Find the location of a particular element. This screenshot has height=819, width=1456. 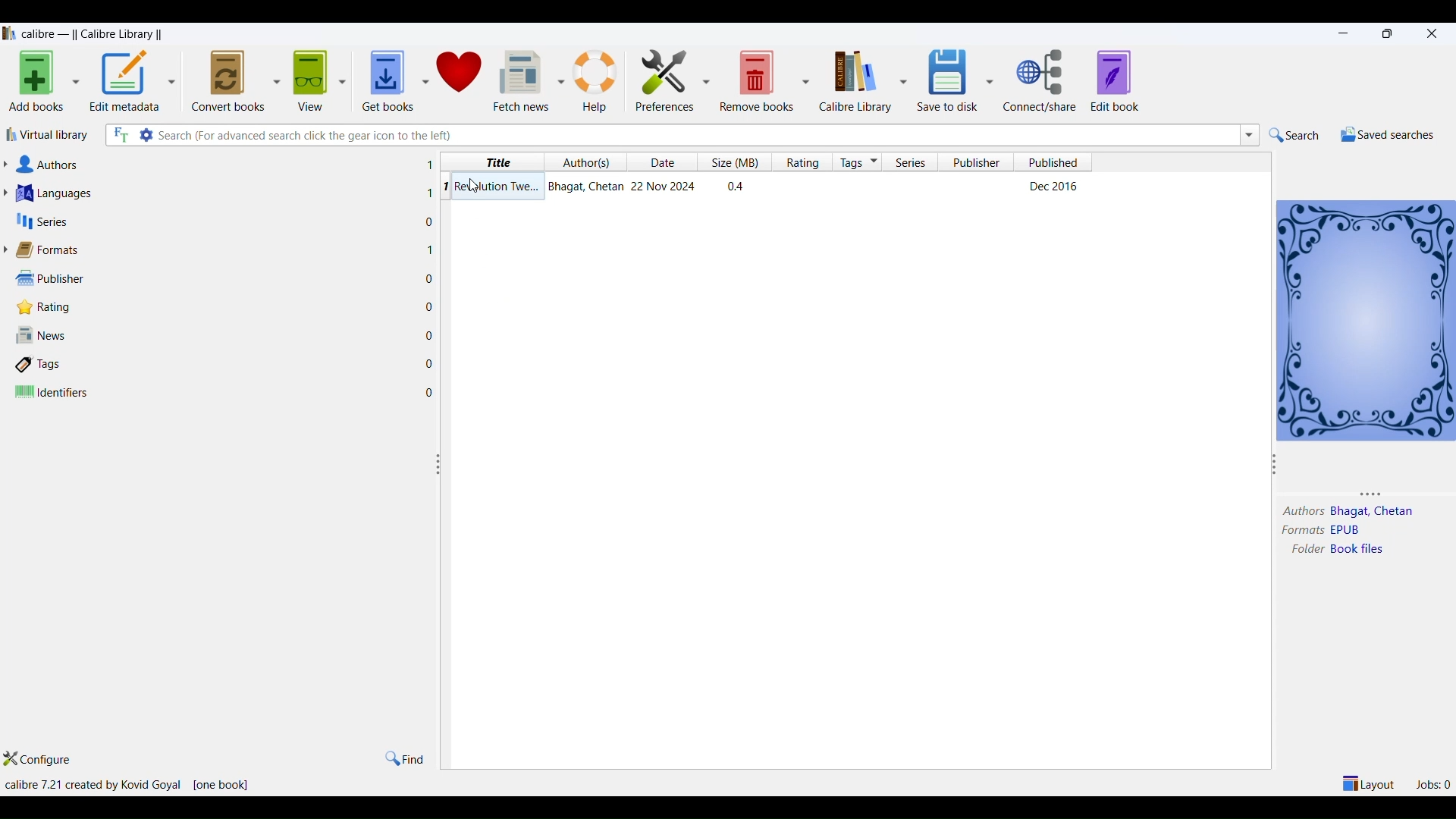

logo is located at coordinates (9, 32).